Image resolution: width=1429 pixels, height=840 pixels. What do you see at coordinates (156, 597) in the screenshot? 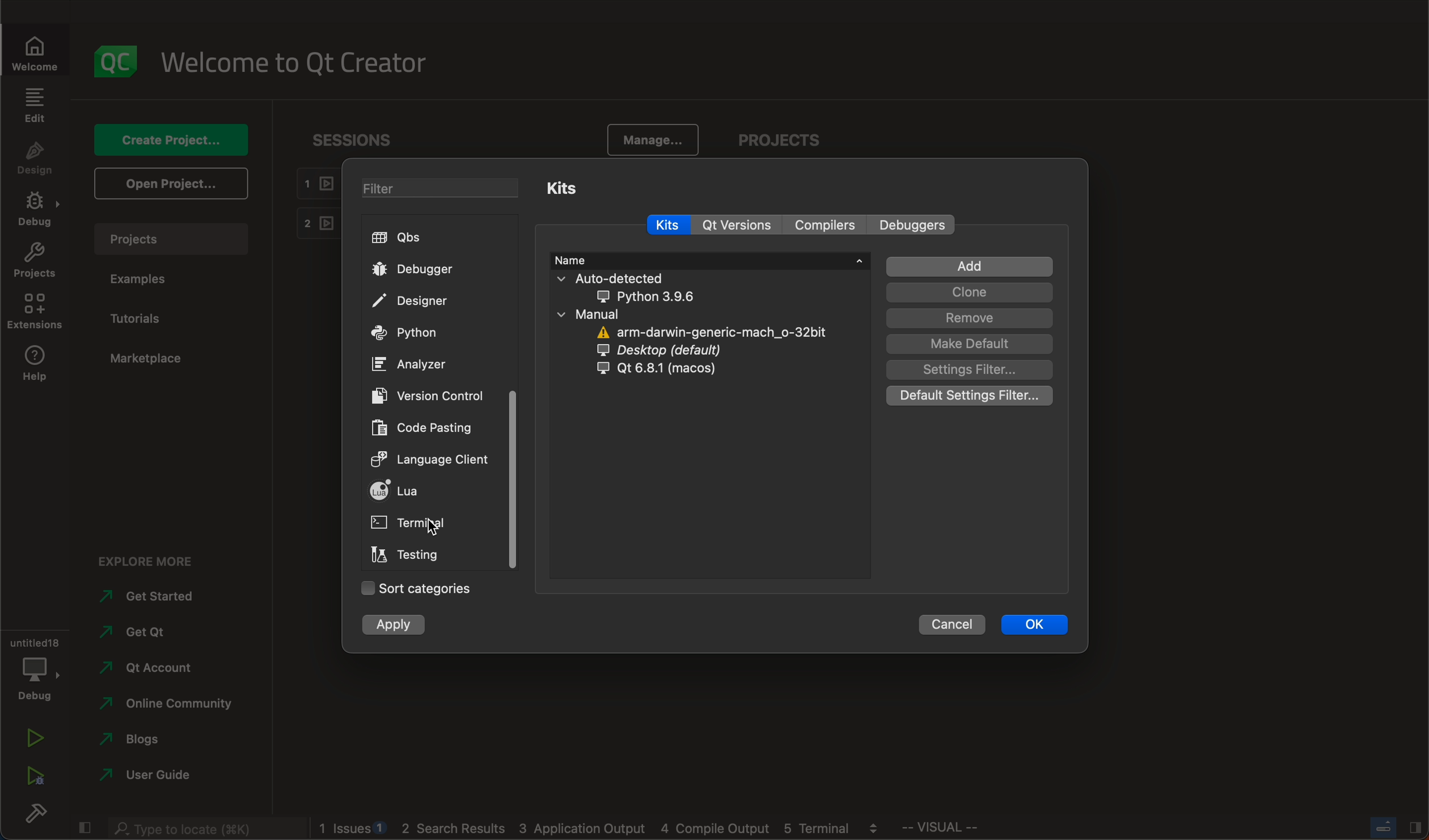
I see `started` at bounding box center [156, 597].